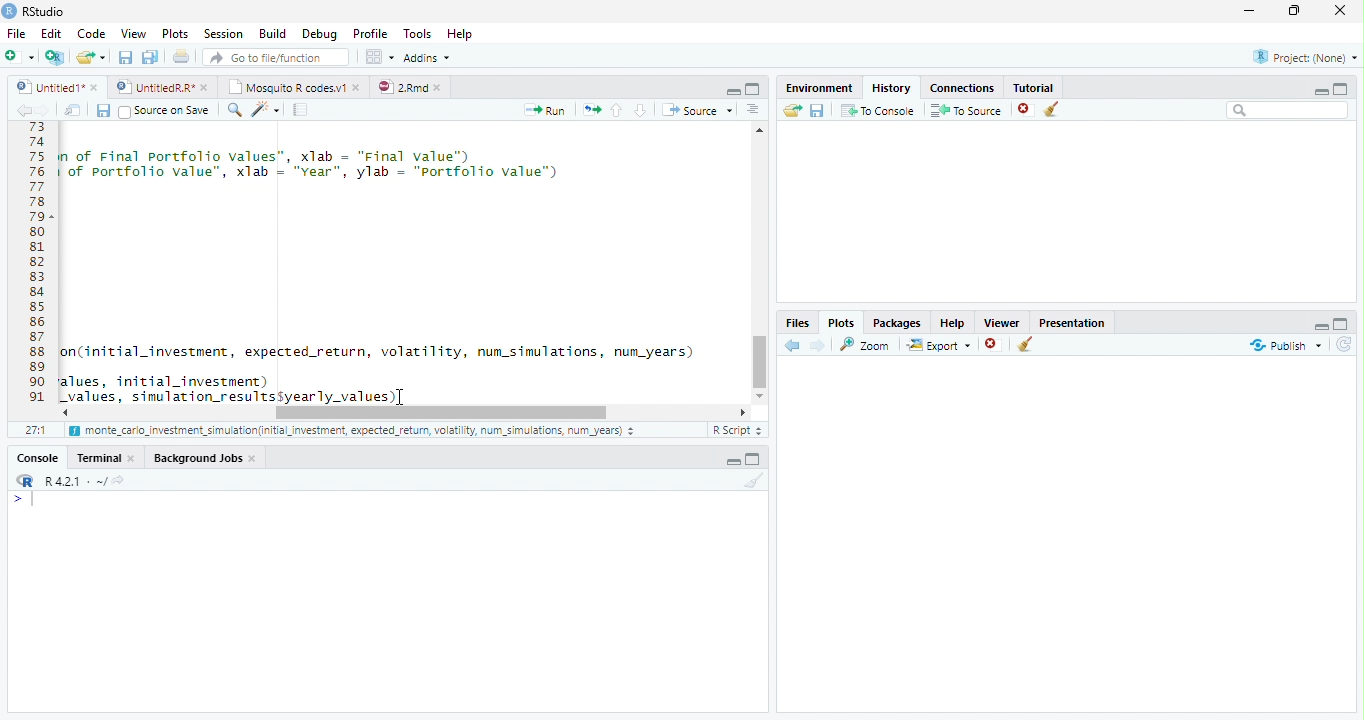  I want to click on Re-run the previous code region, so click(590, 110).